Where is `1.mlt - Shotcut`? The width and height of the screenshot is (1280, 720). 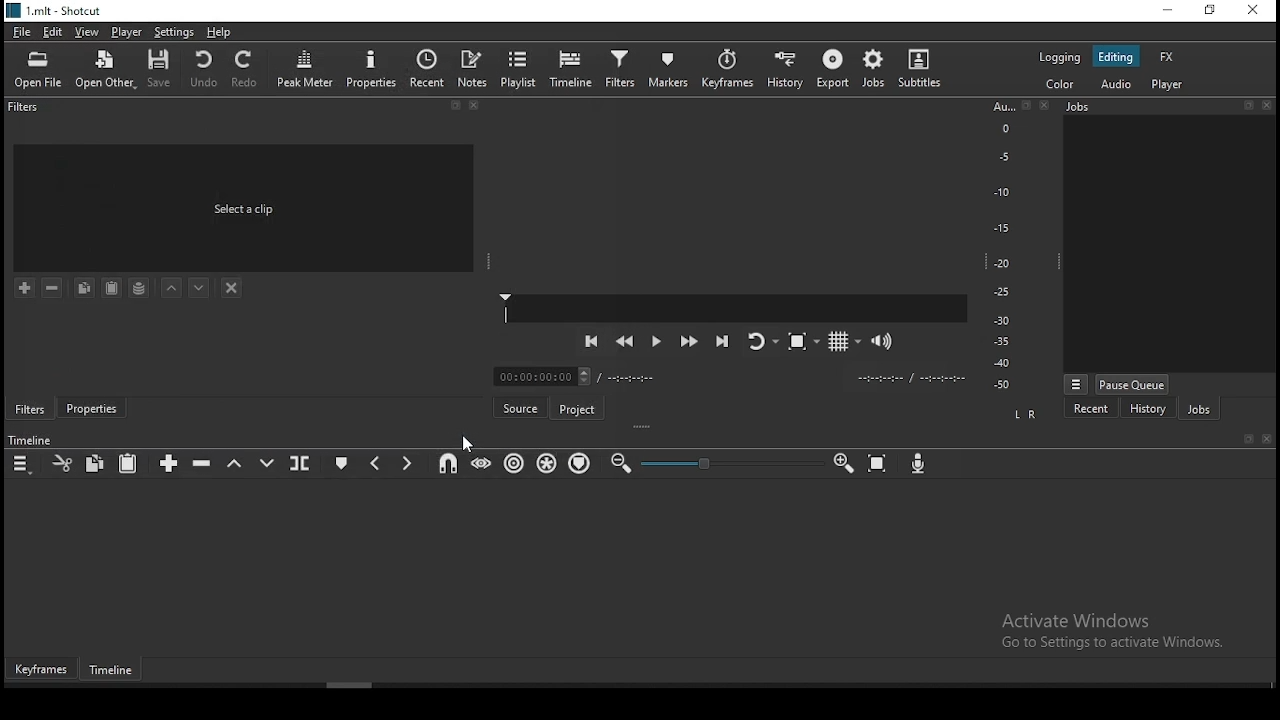
1.mlt - Shotcut is located at coordinates (56, 11).